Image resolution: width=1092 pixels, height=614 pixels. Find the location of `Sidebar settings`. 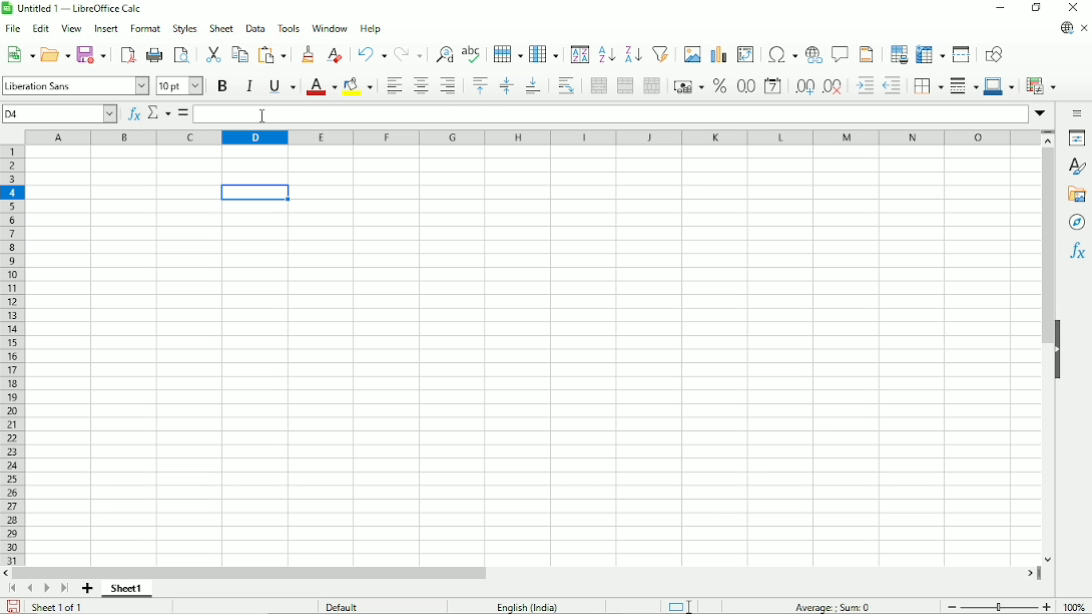

Sidebar settings is located at coordinates (1076, 115).